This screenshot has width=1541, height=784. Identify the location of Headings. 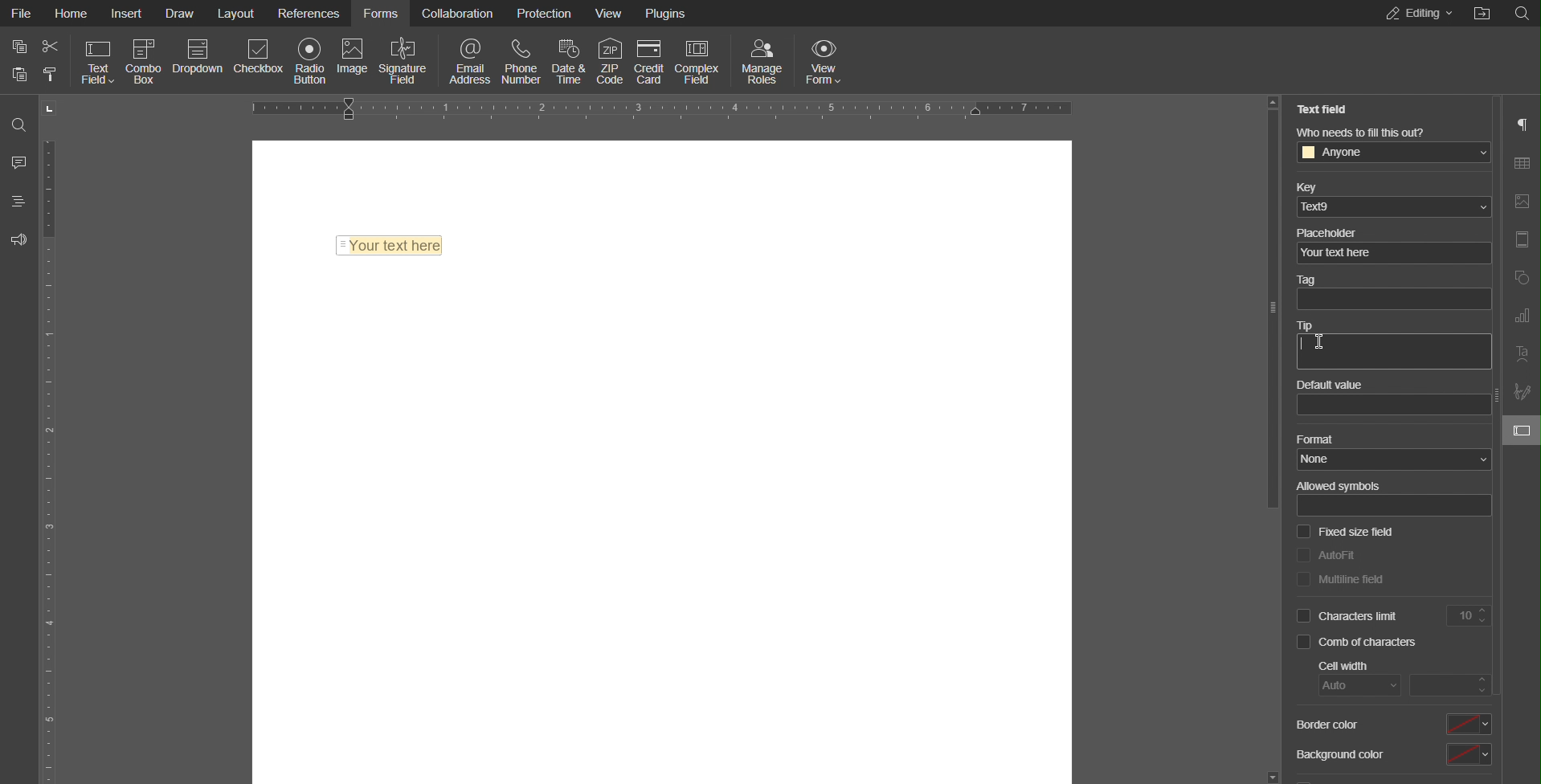
(18, 201).